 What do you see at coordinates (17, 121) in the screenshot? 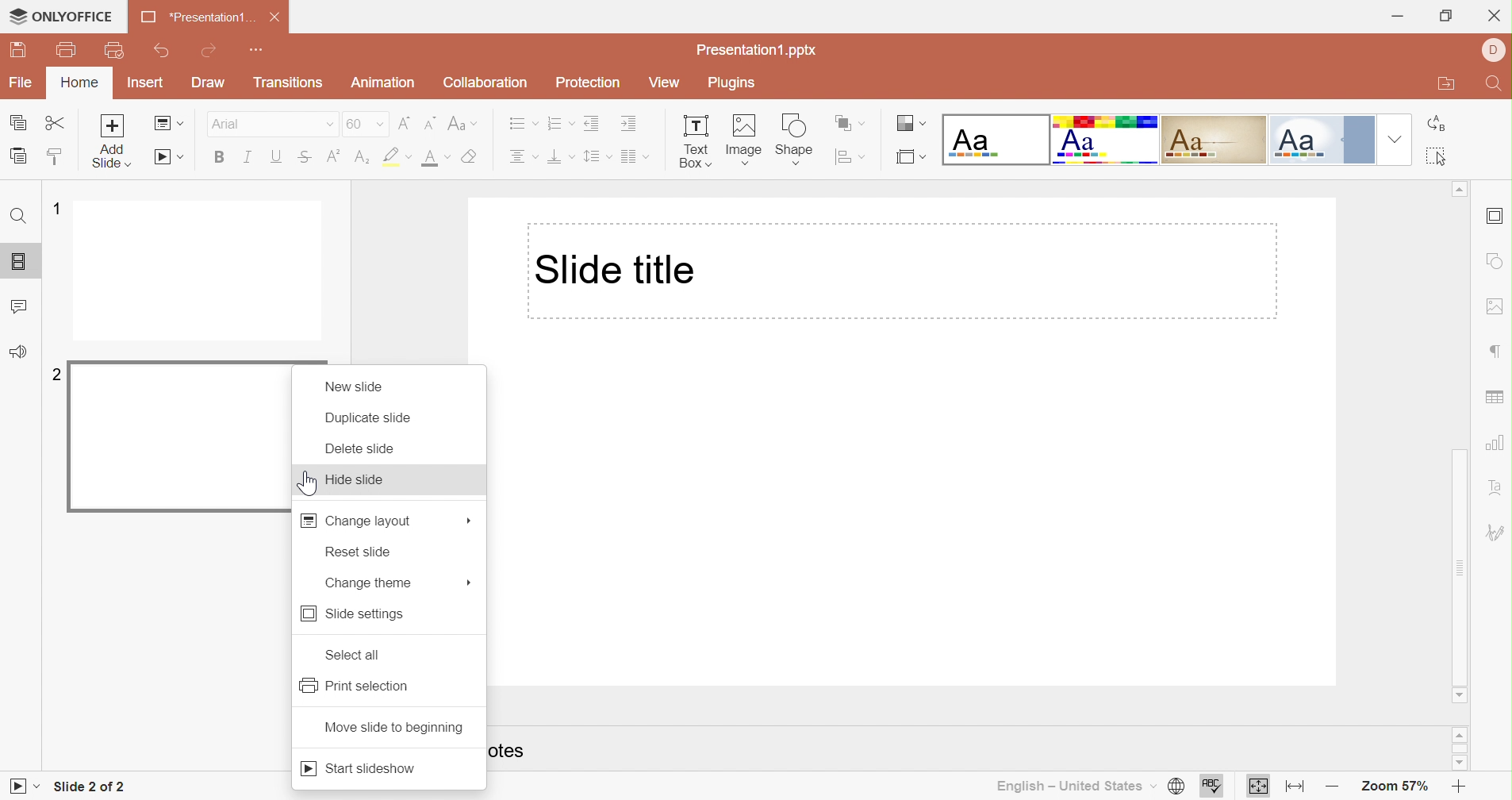
I see `Copy` at bounding box center [17, 121].